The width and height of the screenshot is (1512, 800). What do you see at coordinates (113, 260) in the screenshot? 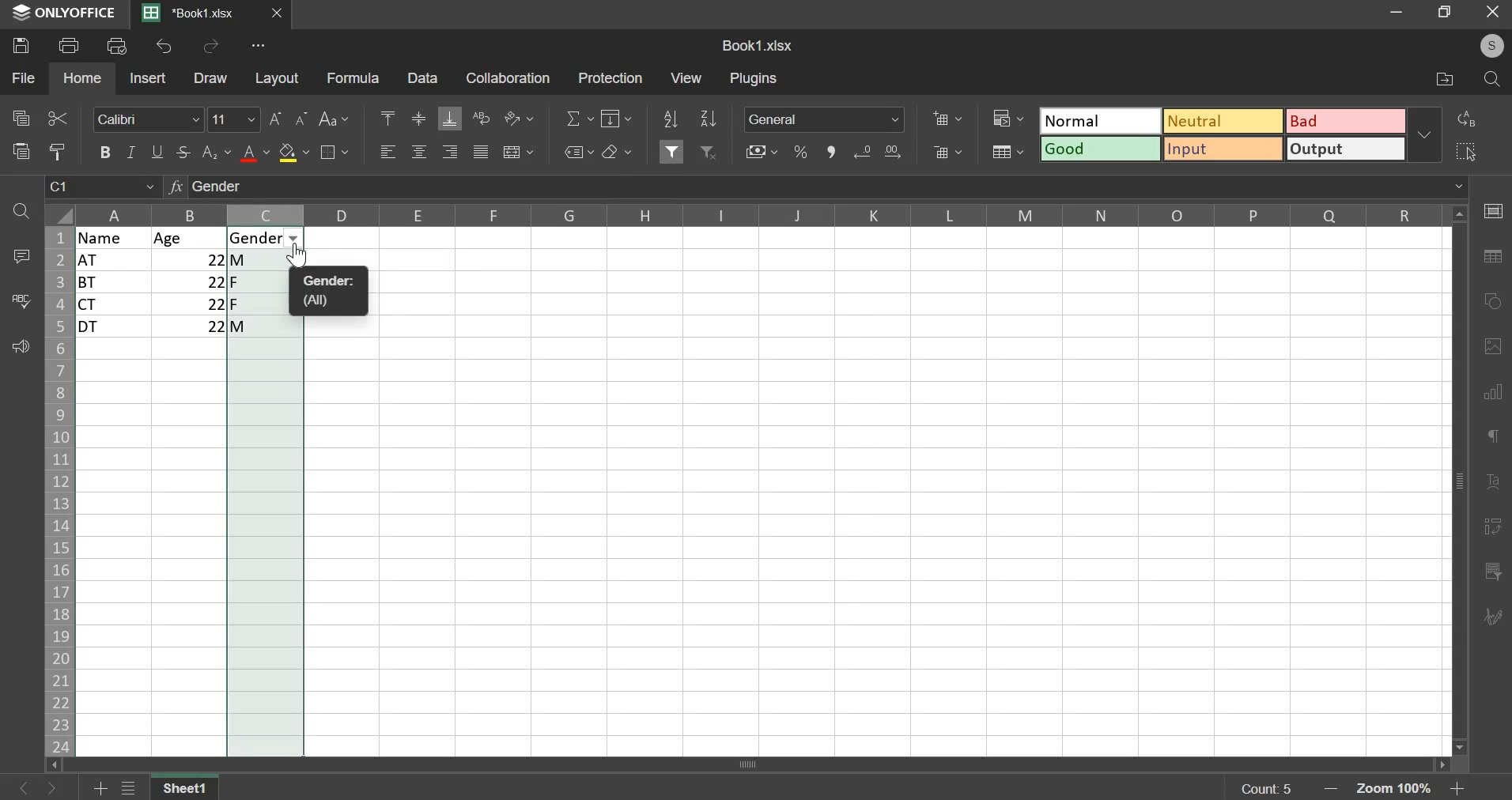
I see `at` at bounding box center [113, 260].